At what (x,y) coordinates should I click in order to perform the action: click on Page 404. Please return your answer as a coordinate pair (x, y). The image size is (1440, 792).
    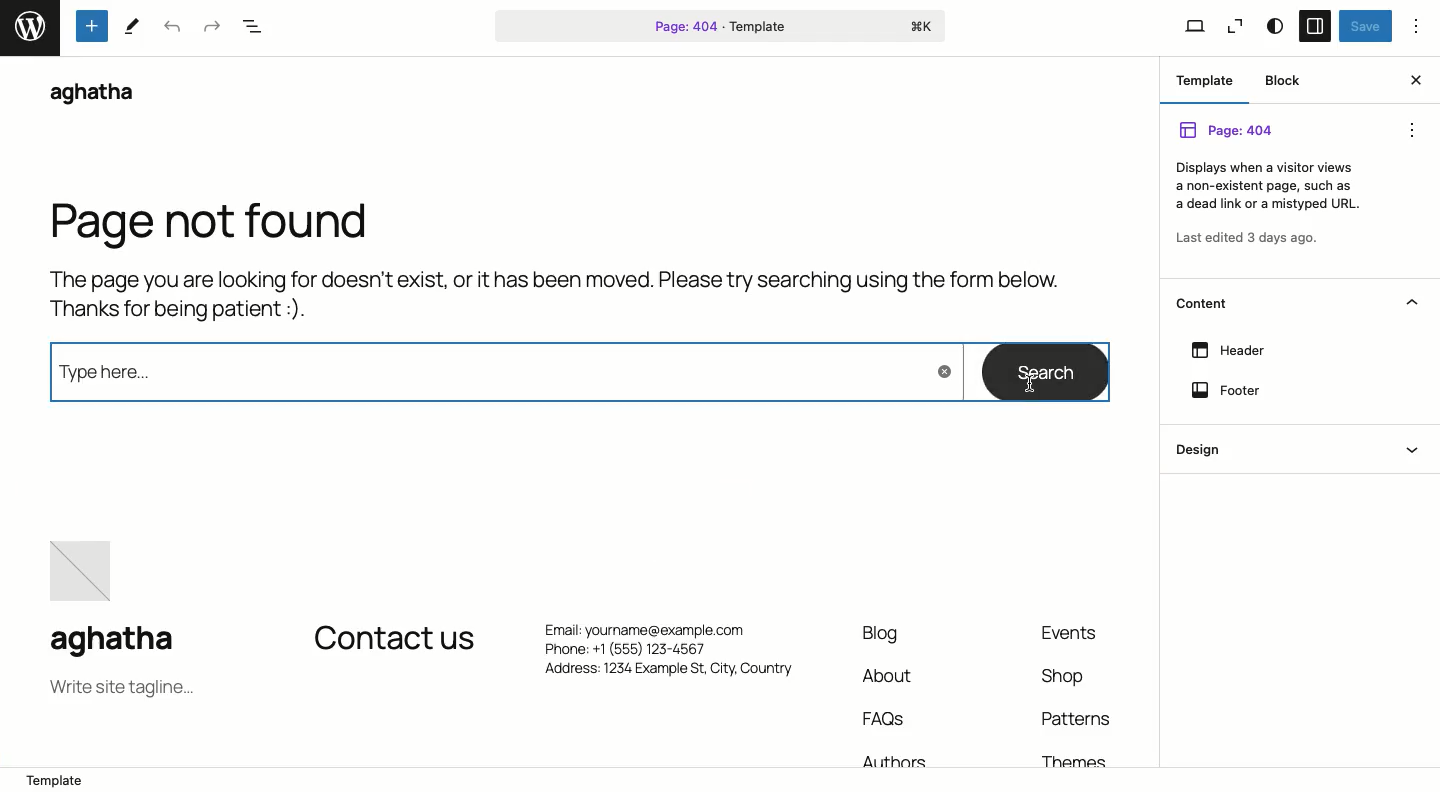
    Looking at the image, I should click on (722, 25).